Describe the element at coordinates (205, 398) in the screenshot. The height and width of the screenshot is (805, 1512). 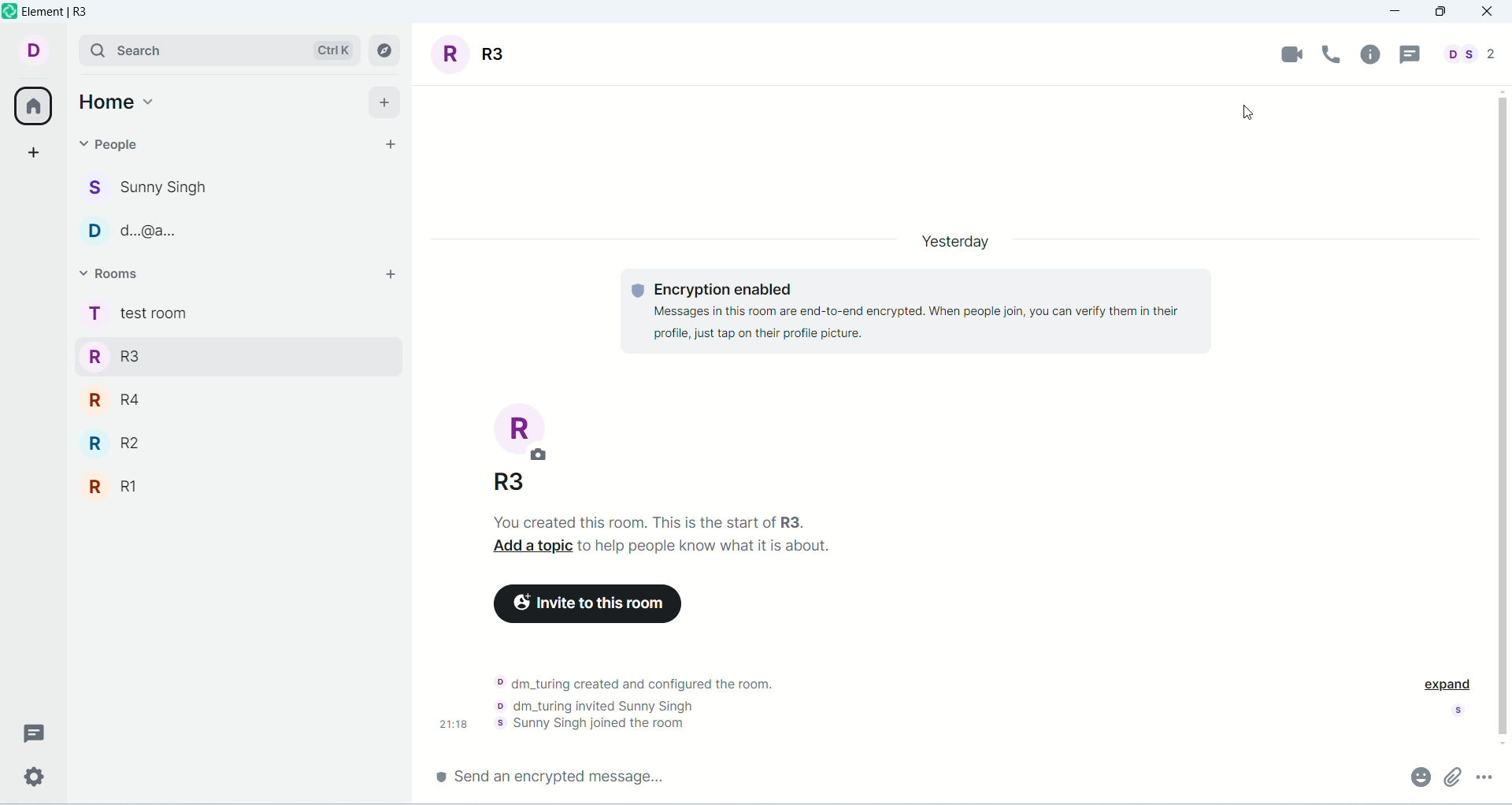
I see `R4` at that location.